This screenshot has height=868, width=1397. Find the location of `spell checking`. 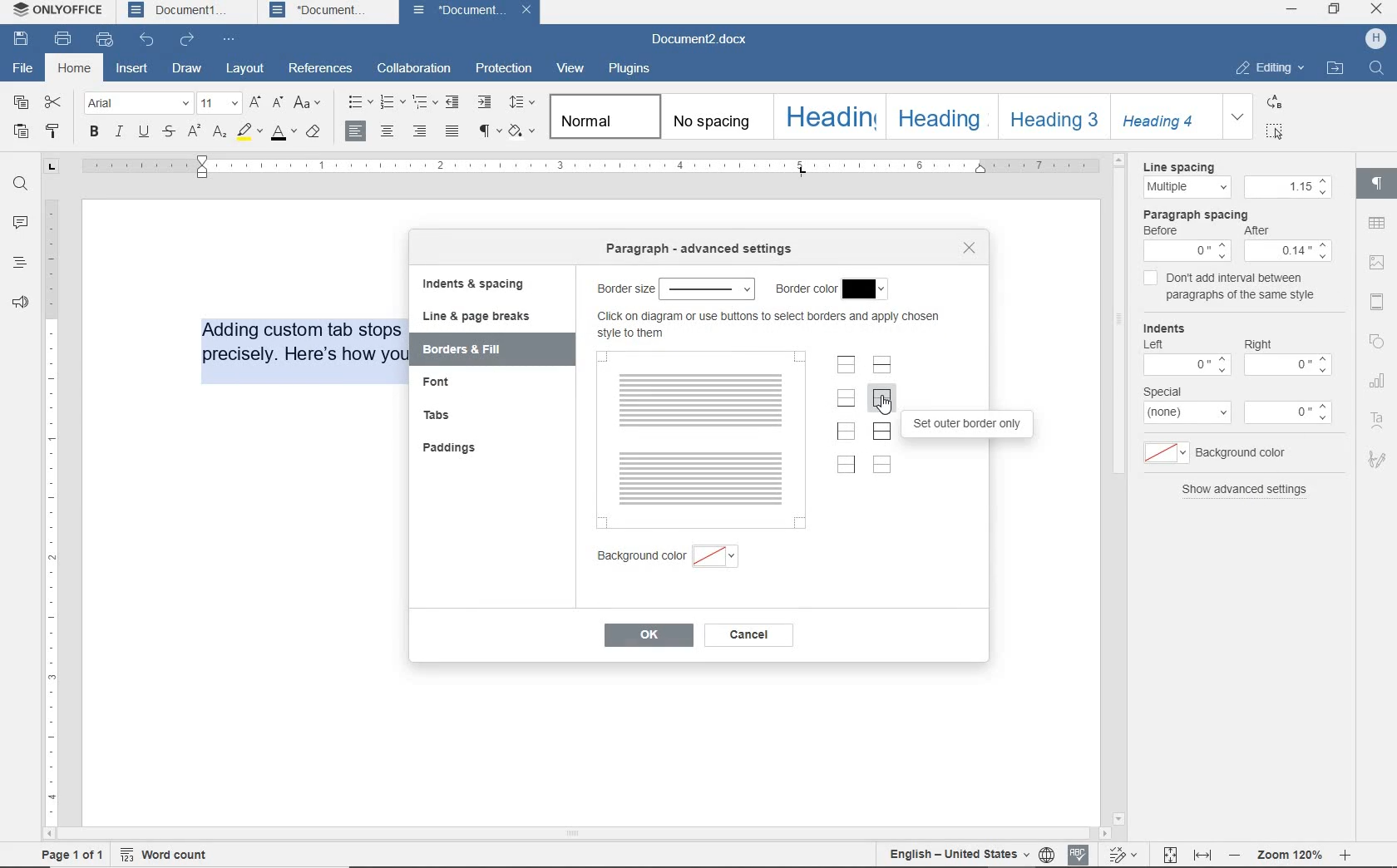

spell checking is located at coordinates (1078, 856).